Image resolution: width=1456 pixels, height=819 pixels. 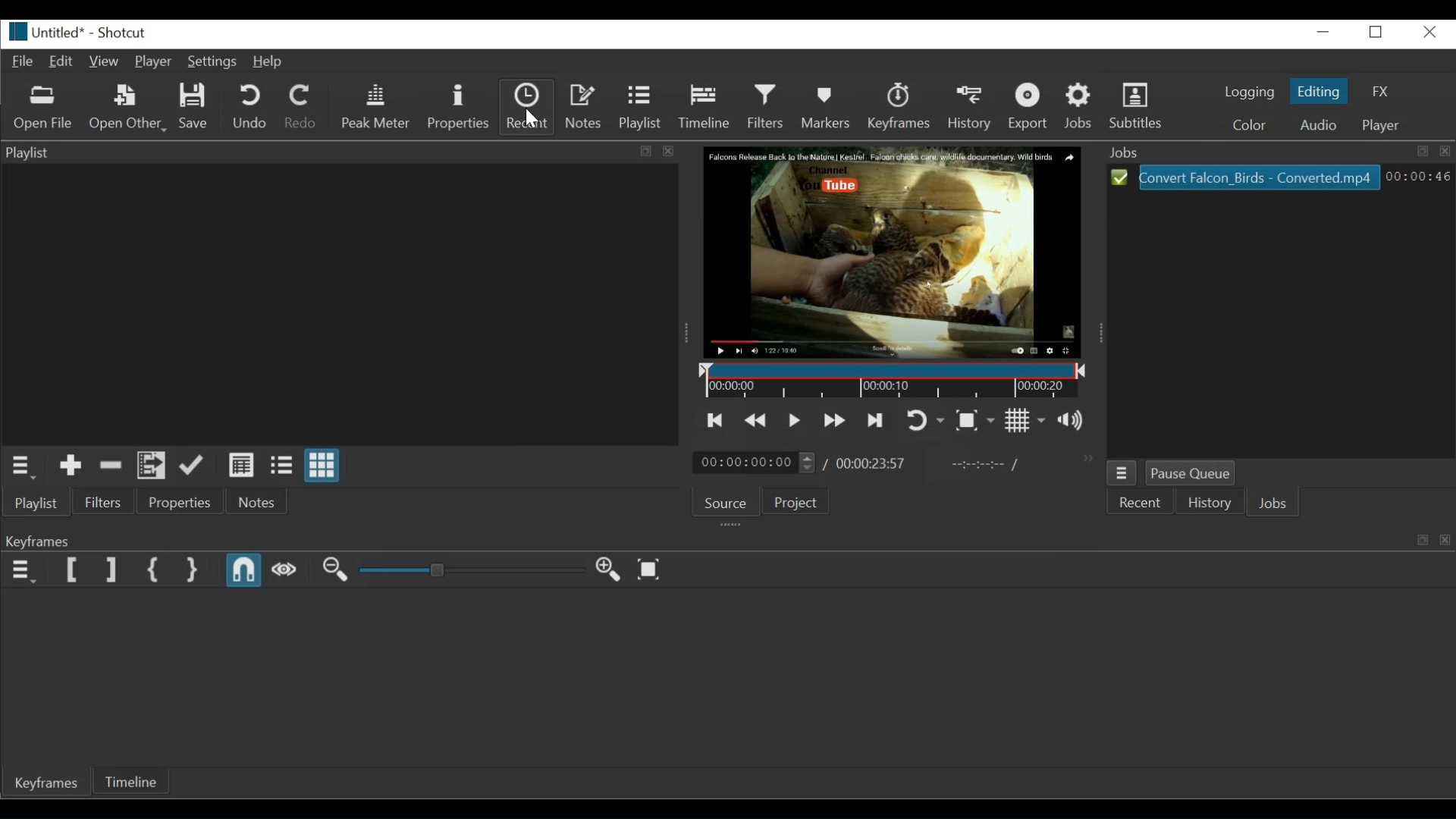 I want to click on View as files, so click(x=280, y=464).